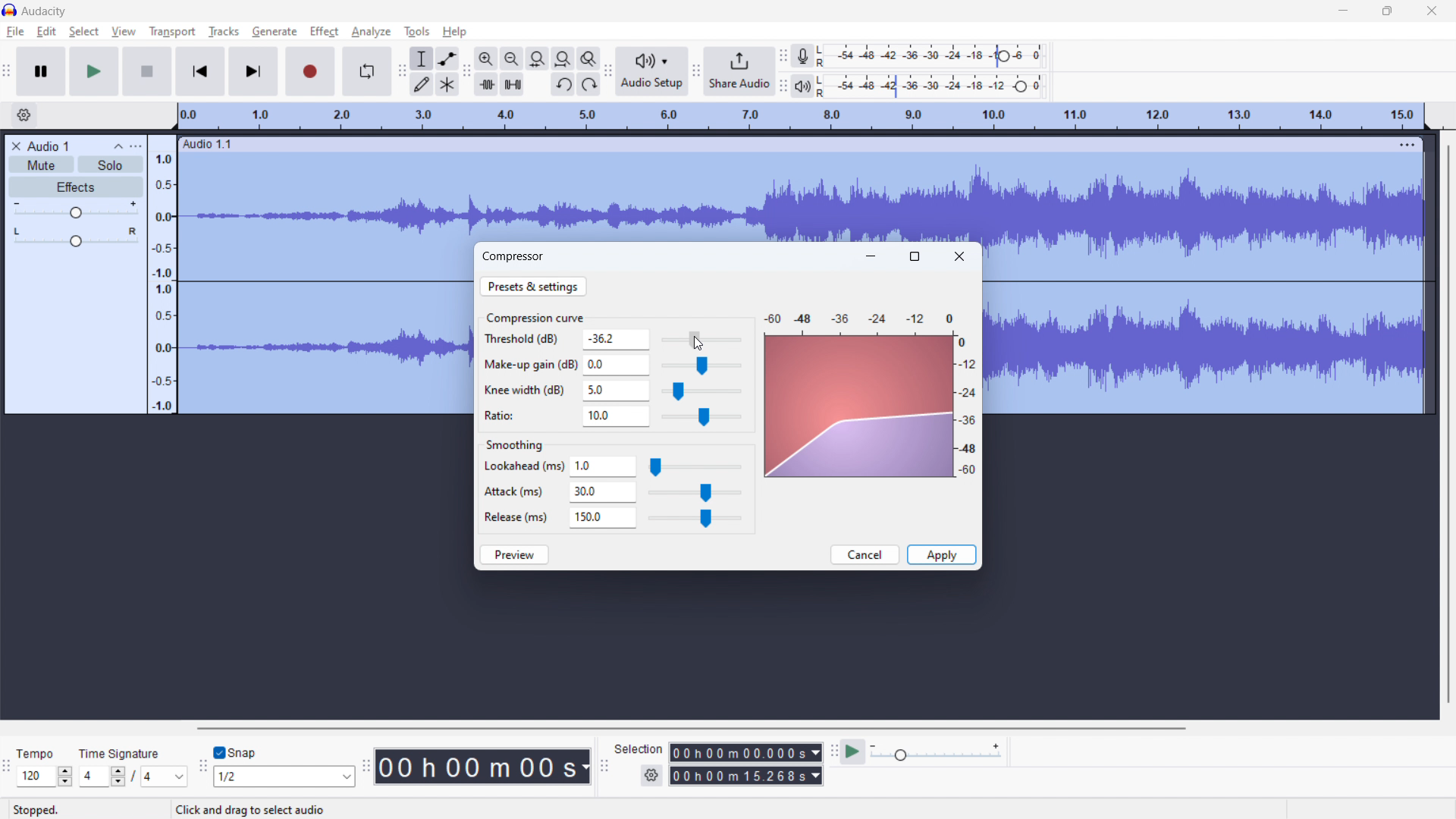  I want to click on effect, so click(325, 32).